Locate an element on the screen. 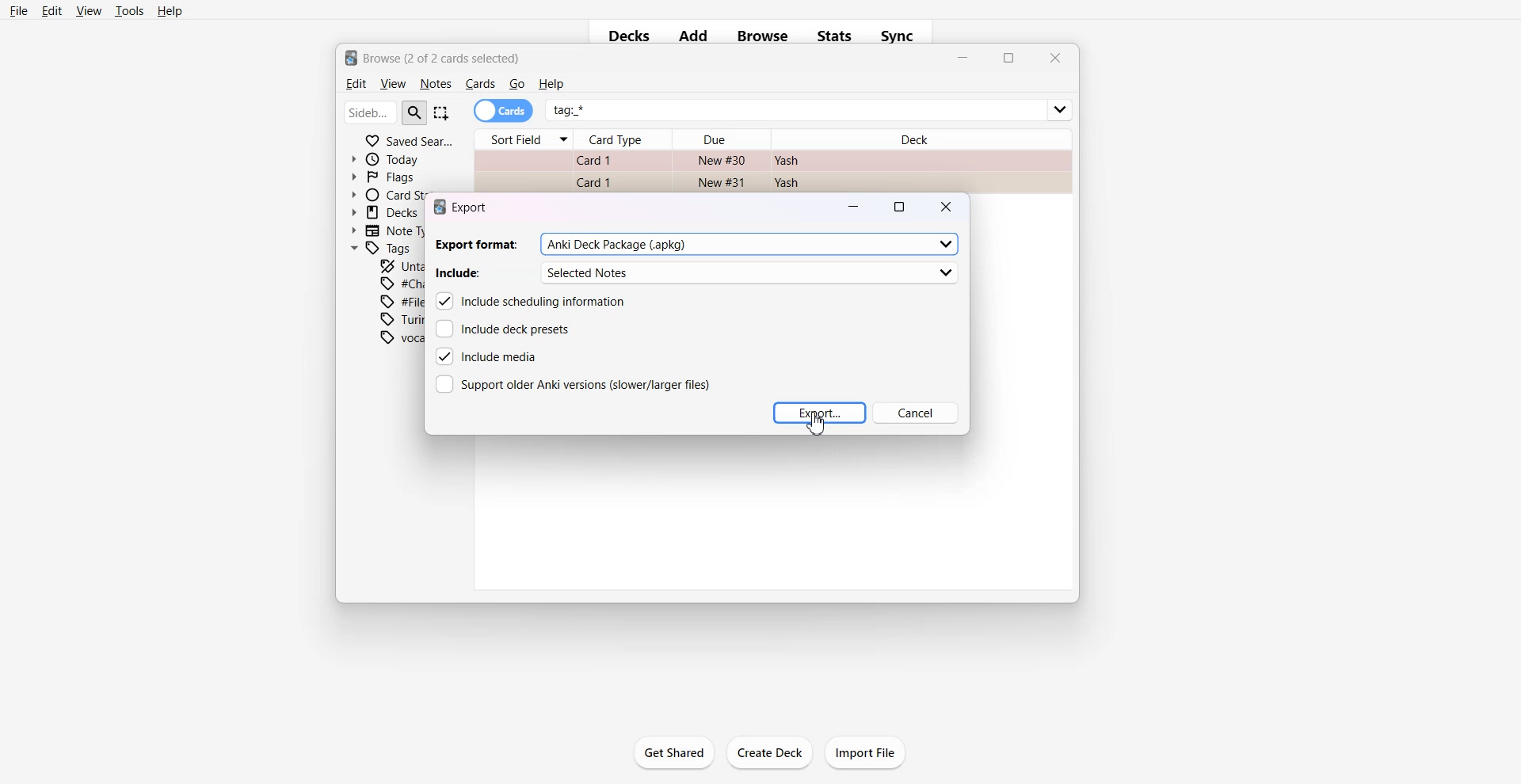 This screenshot has width=1521, height=784. Saved Search is located at coordinates (409, 139).